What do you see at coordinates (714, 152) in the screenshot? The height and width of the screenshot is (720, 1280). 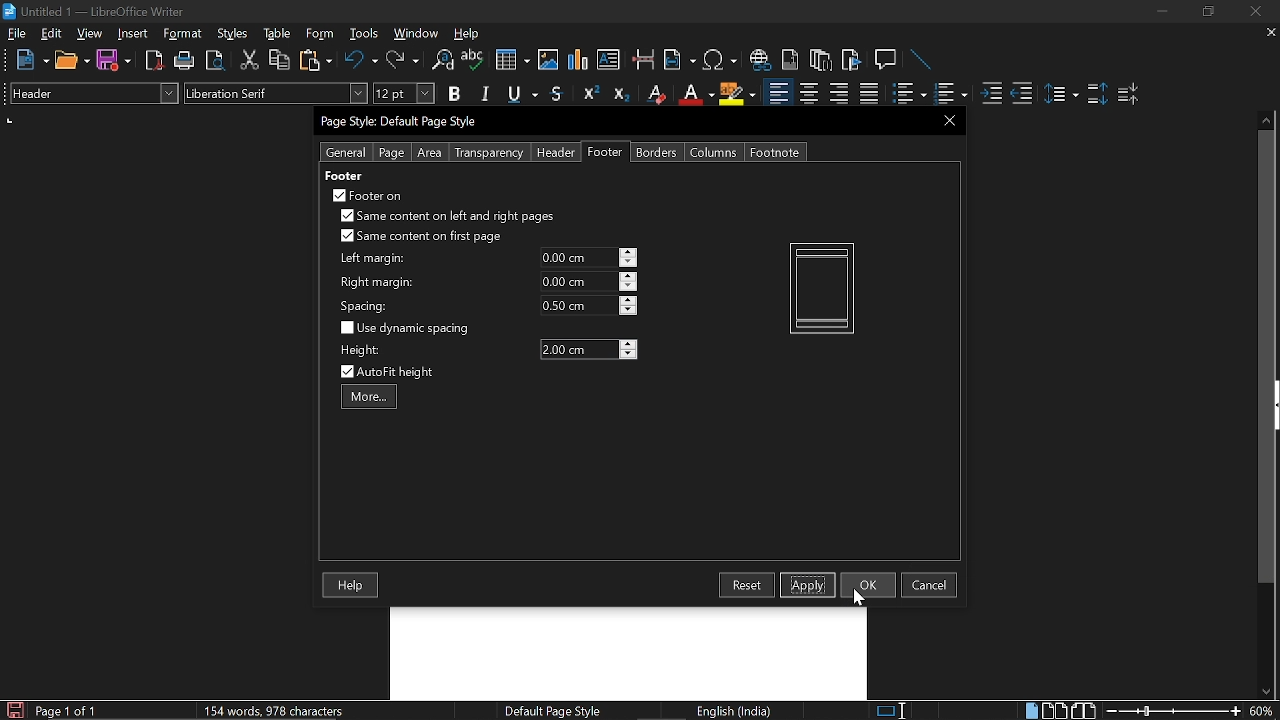 I see `Columns` at bounding box center [714, 152].